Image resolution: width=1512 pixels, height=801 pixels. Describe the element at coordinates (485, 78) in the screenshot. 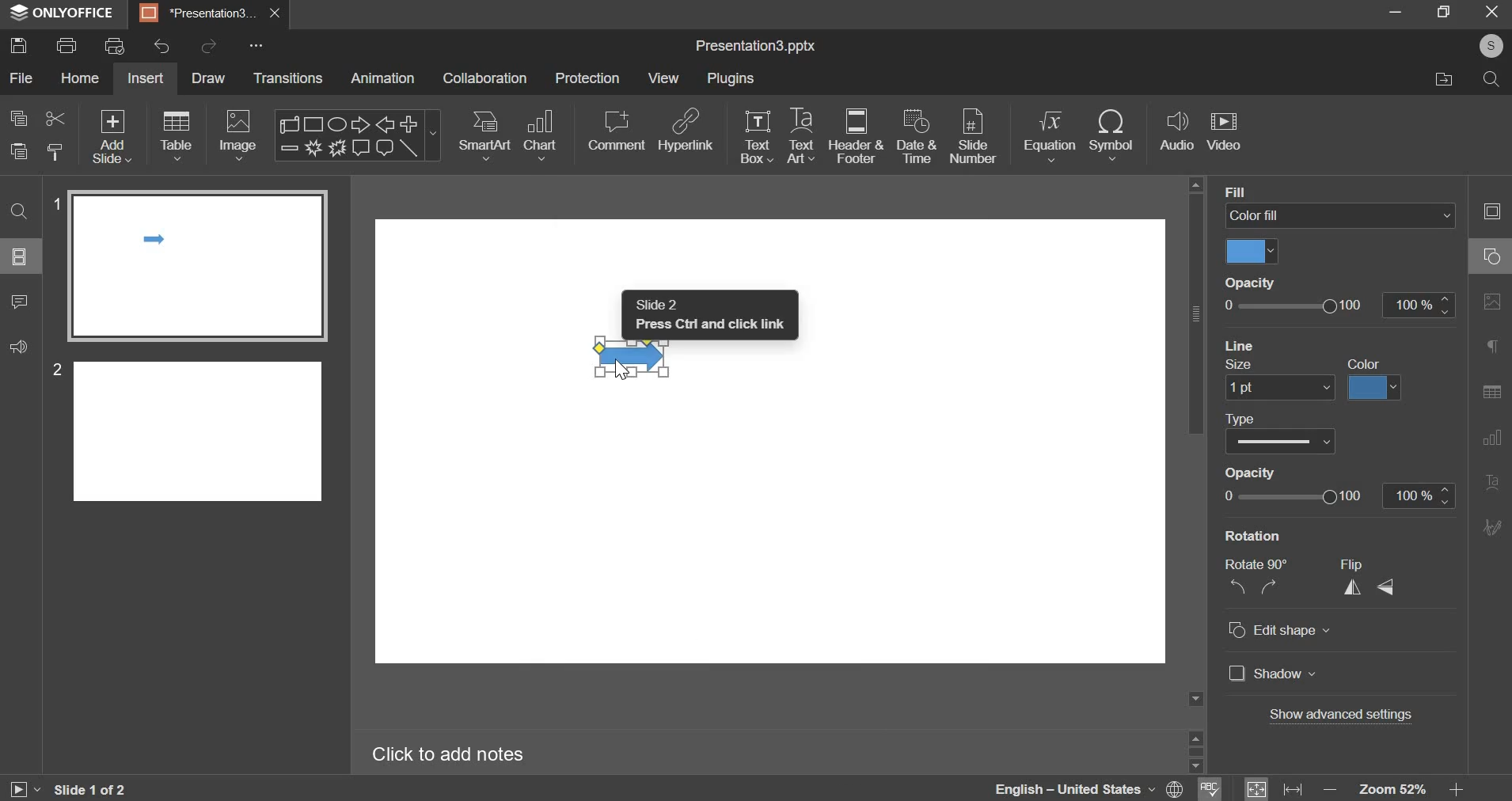

I see `collaboration` at that location.